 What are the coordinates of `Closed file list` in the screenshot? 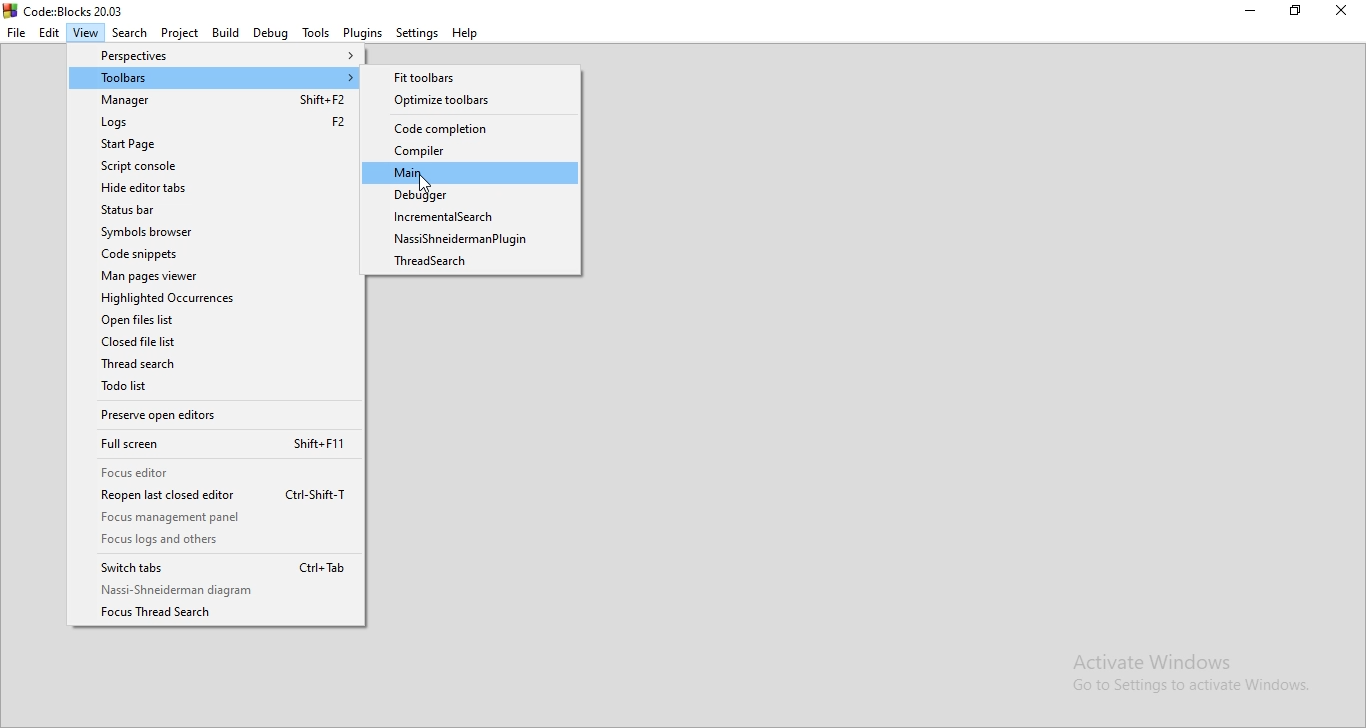 It's located at (218, 344).